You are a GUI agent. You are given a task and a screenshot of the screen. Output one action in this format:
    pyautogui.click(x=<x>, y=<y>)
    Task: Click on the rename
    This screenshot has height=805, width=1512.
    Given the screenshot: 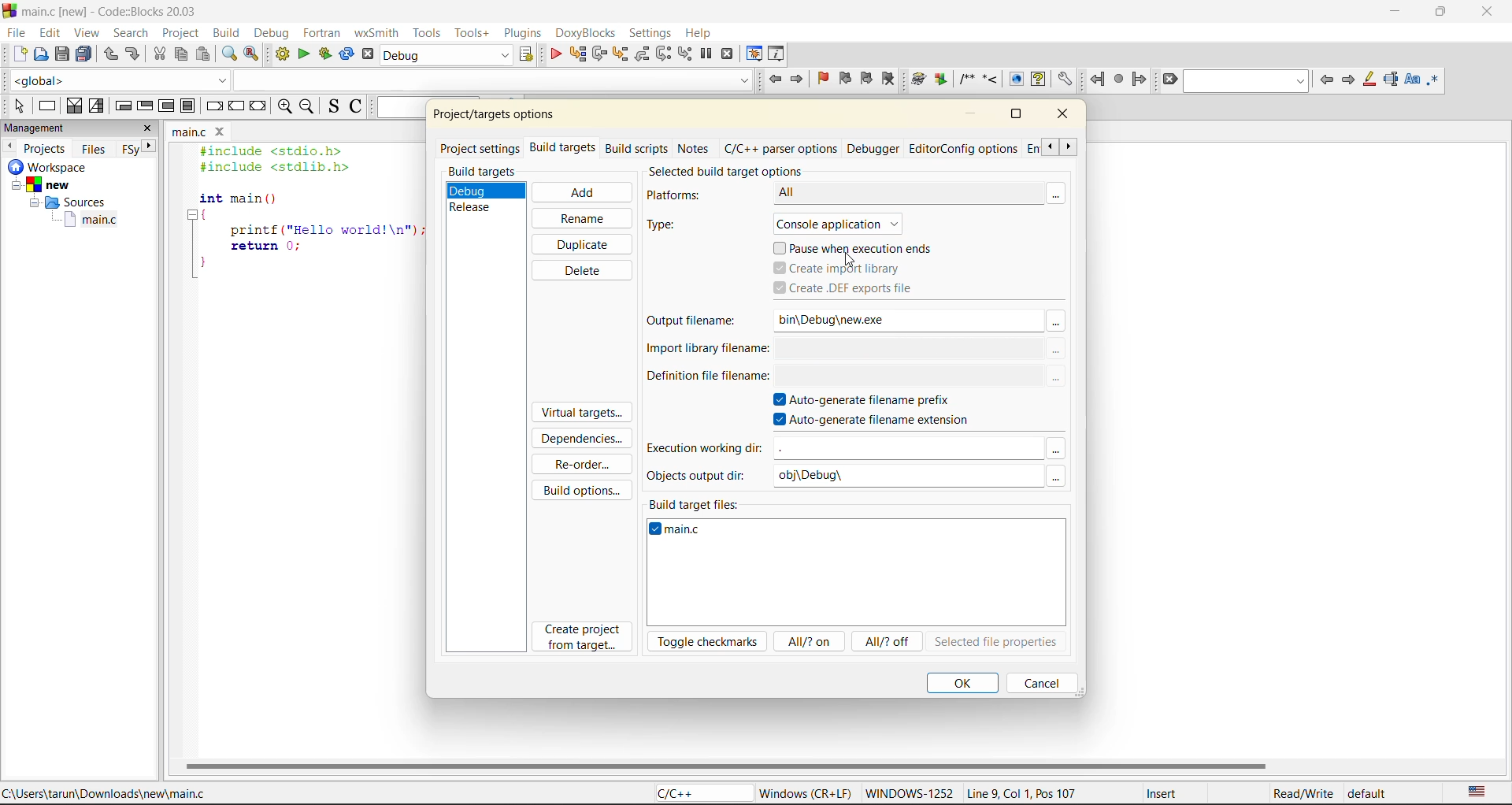 What is the action you would take?
    pyautogui.click(x=580, y=218)
    